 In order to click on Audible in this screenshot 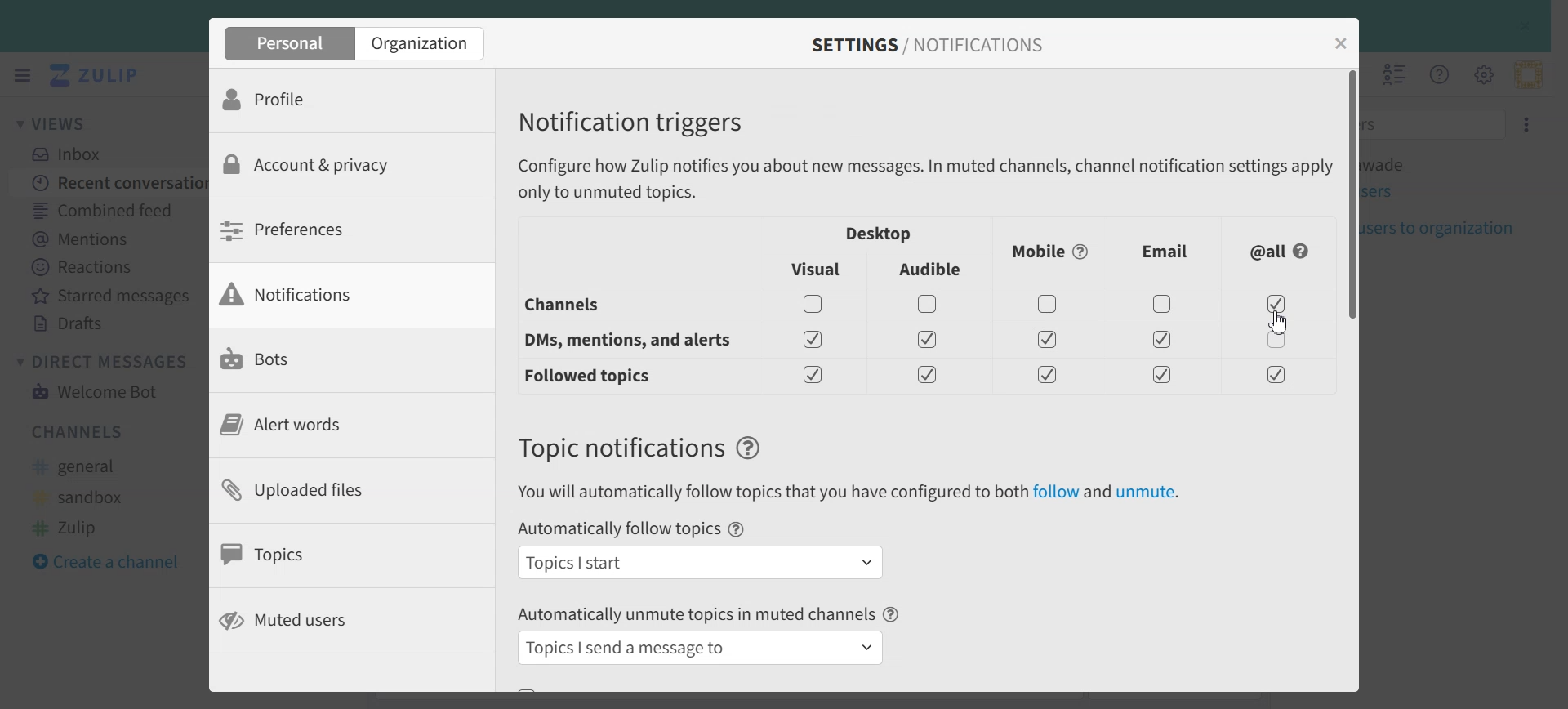, I will do `click(932, 270)`.